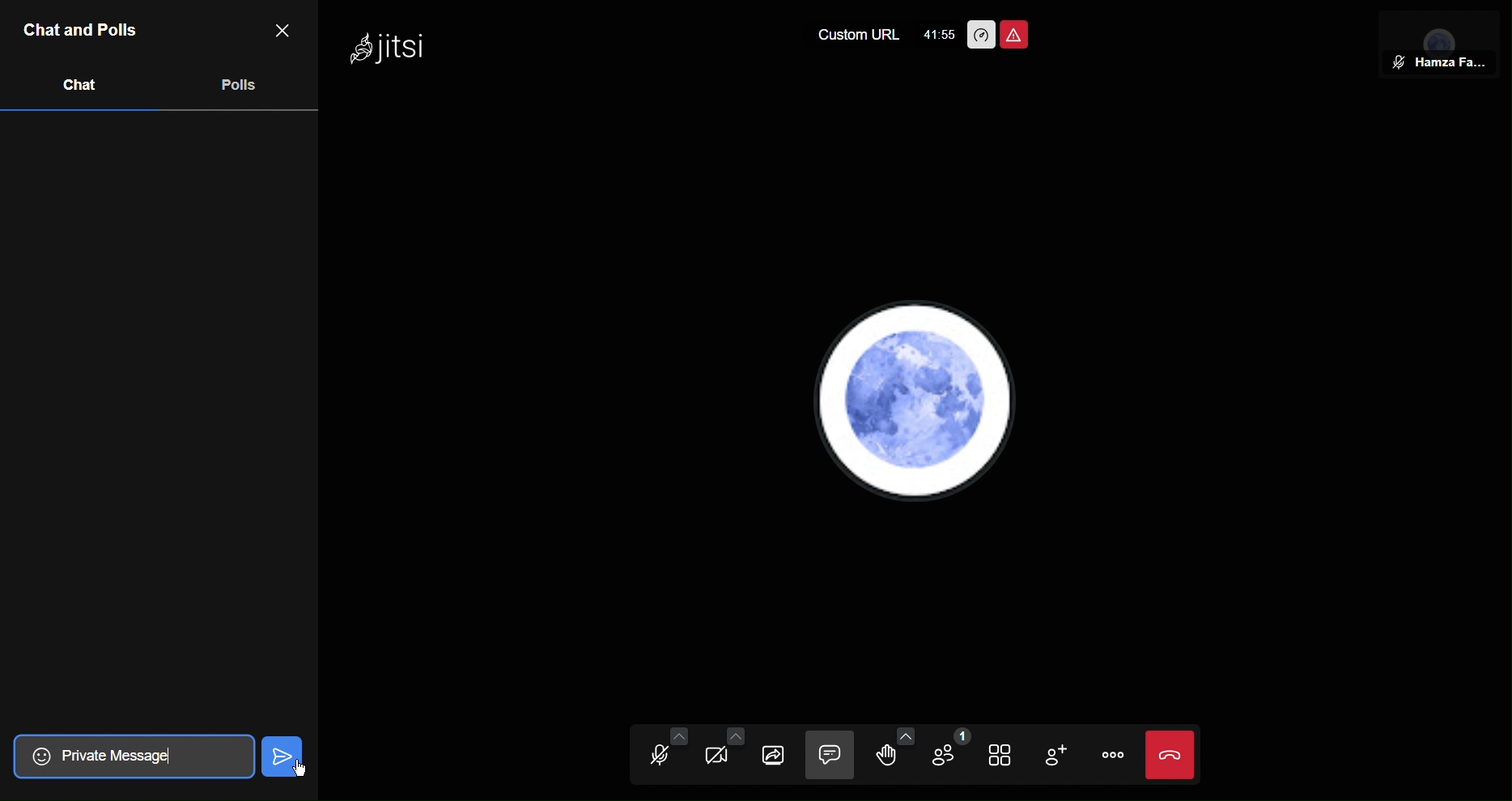 This screenshot has height=801, width=1512. I want to click on Participant View, so click(1438, 39).